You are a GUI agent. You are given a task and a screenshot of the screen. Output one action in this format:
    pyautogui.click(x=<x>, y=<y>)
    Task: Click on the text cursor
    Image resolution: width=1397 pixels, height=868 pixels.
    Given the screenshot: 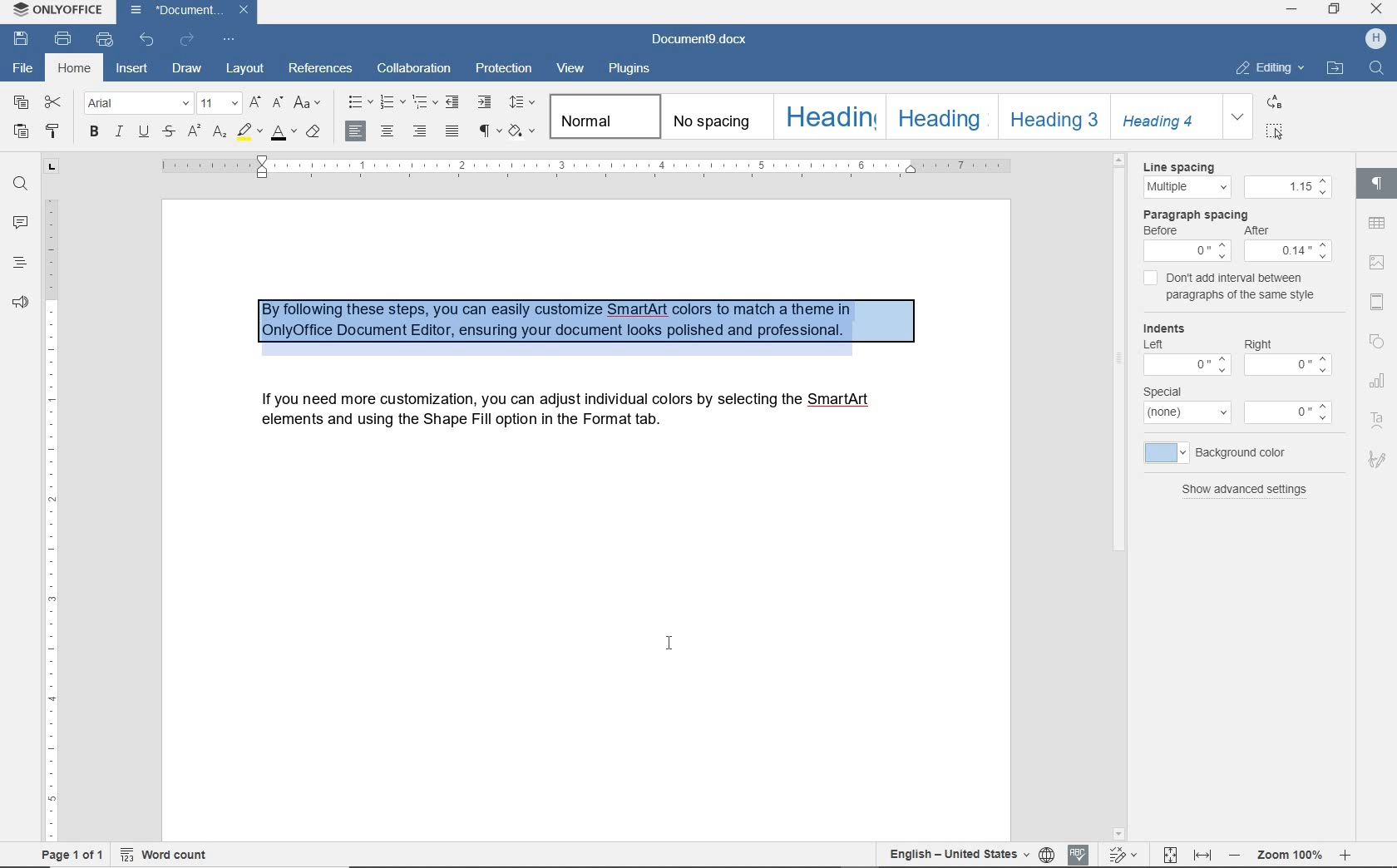 What is the action you would take?
    pyautogui.click(x=664, y=653)
    